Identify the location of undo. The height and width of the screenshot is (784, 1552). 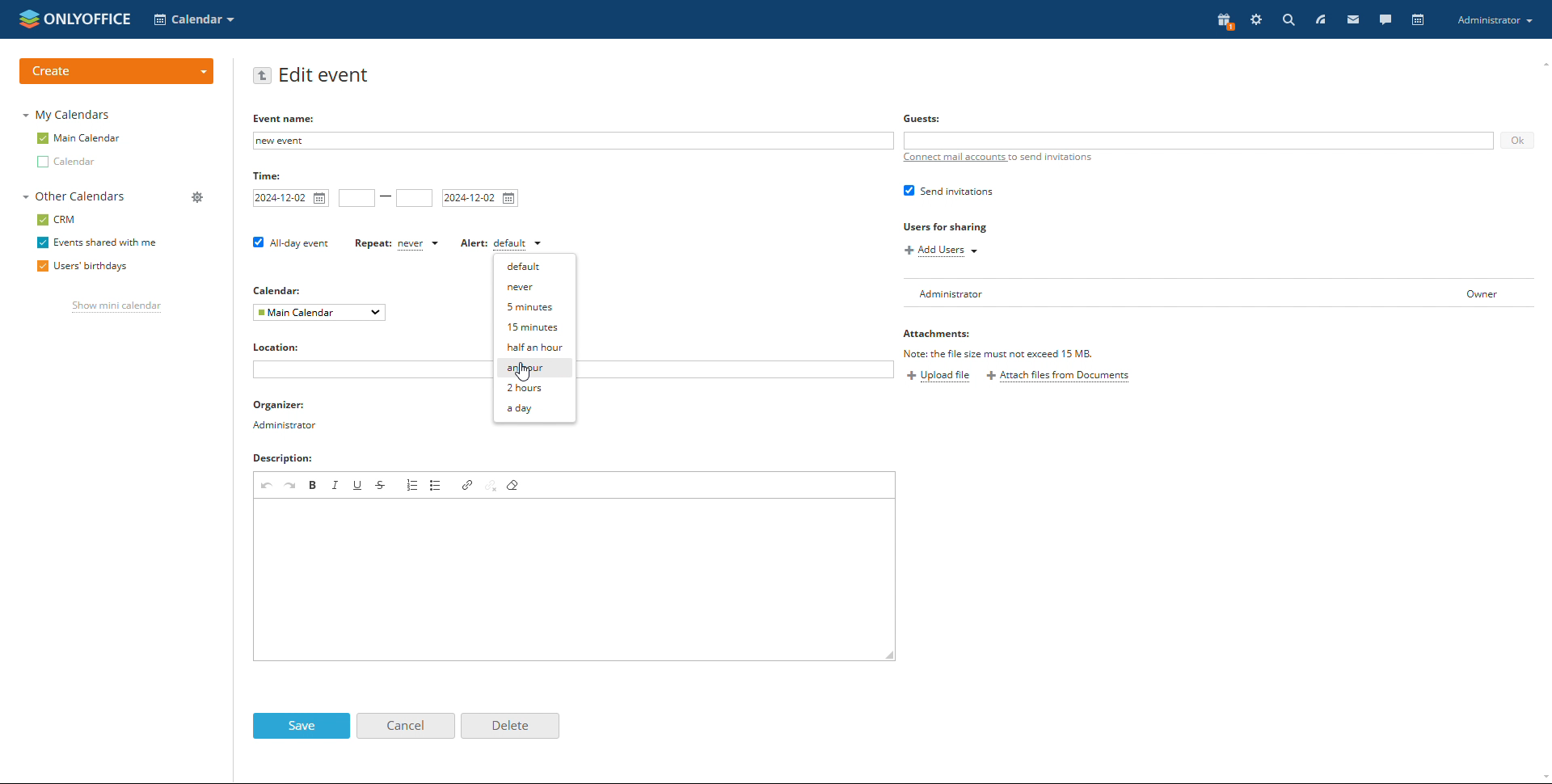
(266, 485).